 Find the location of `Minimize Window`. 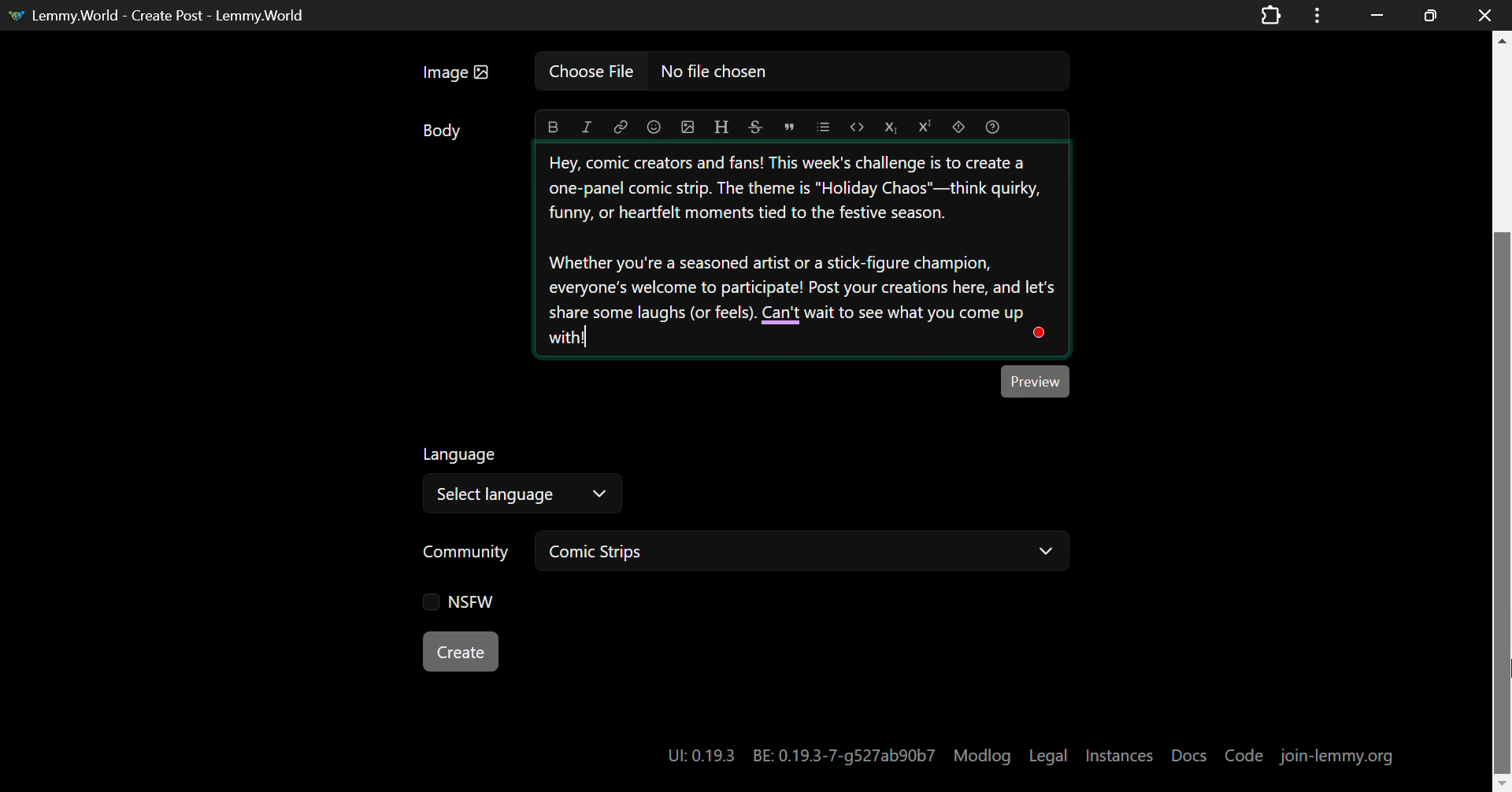

Minimize Window is located at coordinates (1432, 15).